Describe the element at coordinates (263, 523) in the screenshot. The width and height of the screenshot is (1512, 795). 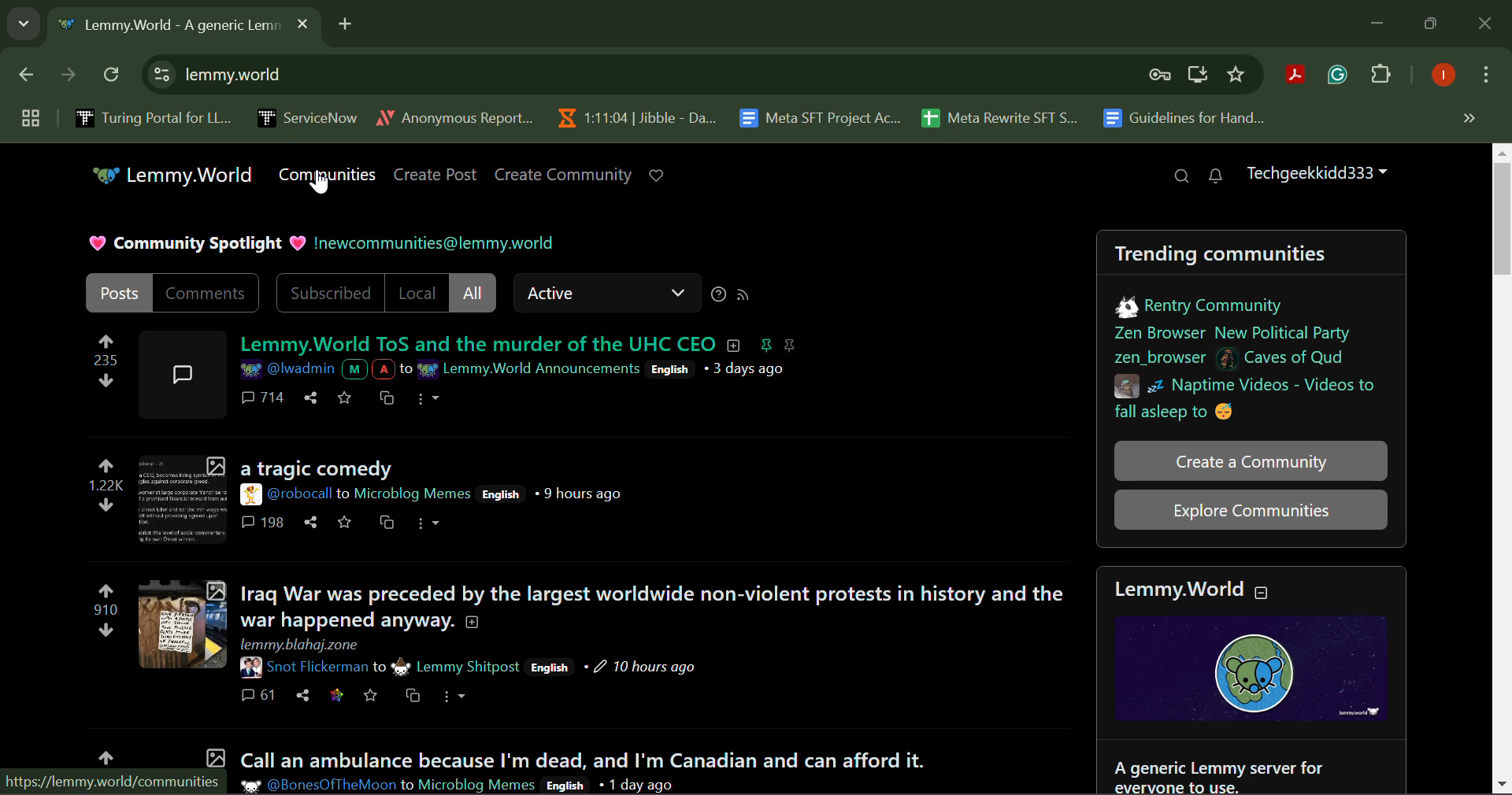
I see `Comments` at that location.